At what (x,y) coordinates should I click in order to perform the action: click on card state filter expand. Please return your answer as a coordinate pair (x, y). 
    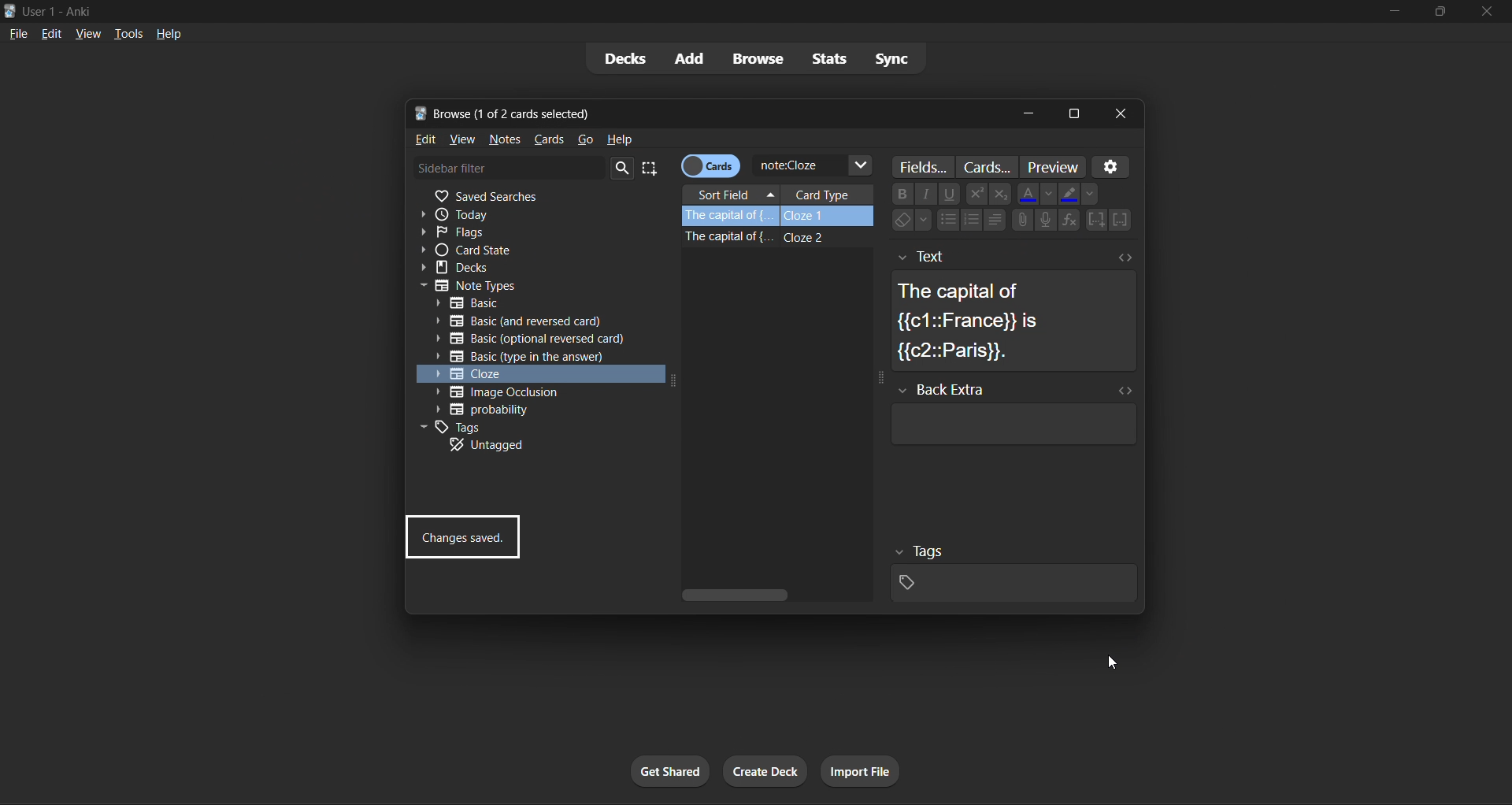
    Looking at the image, I should click on (532, 251).